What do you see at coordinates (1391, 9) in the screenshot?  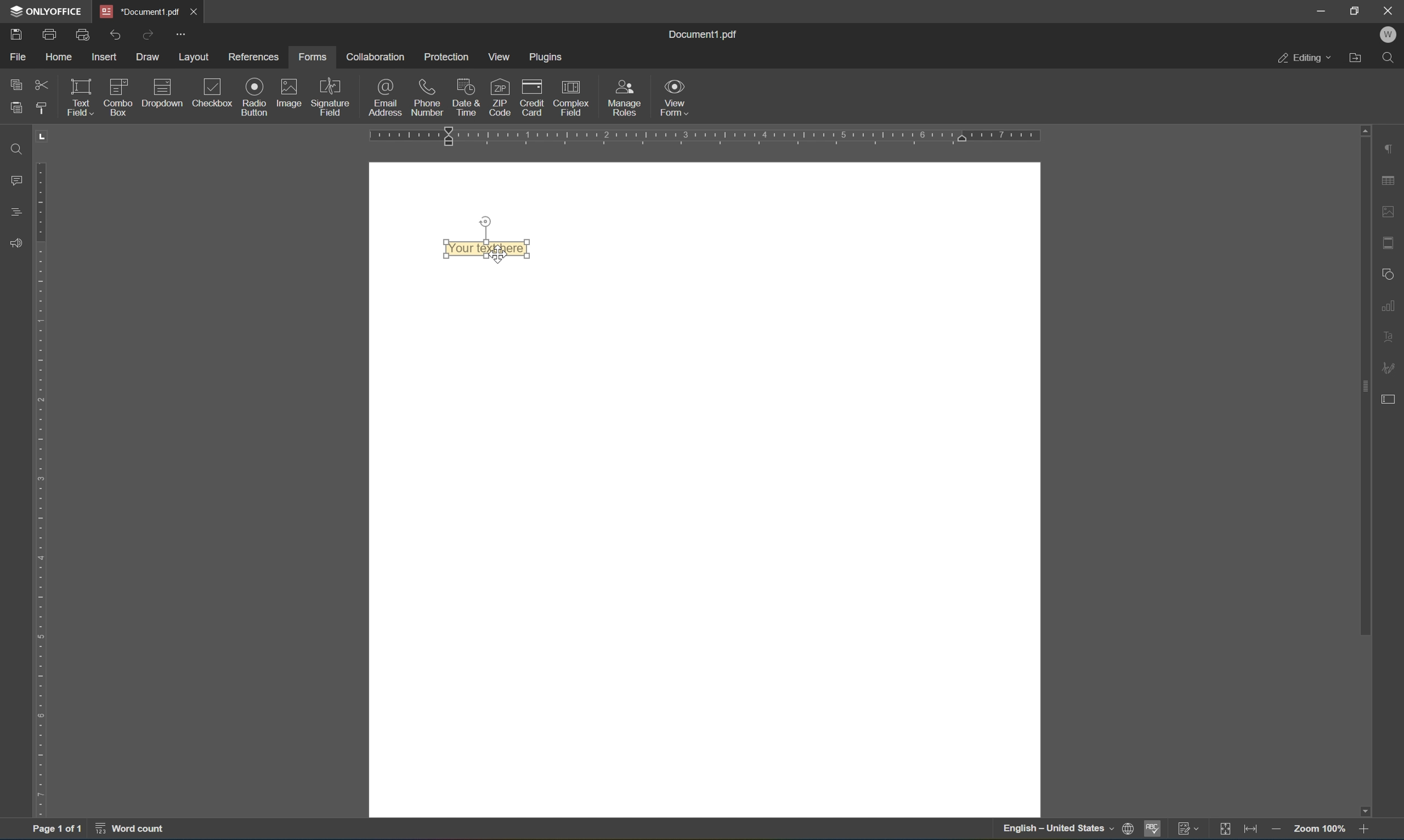 I see `close` at bounding box center [1391, 9].